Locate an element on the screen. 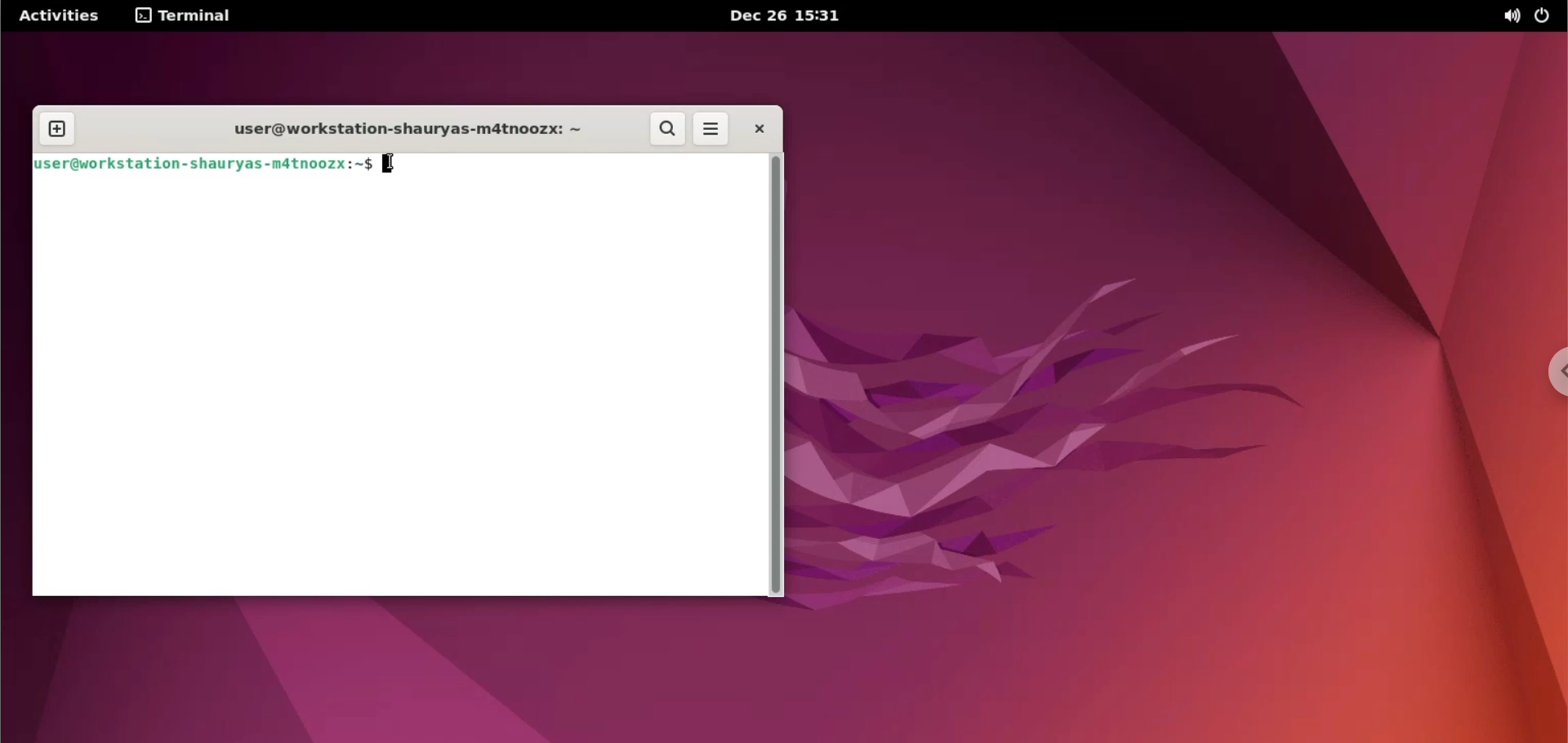 This screenshot has width=1568, height=743. new terminal tab is located at coordinates (60, 130).